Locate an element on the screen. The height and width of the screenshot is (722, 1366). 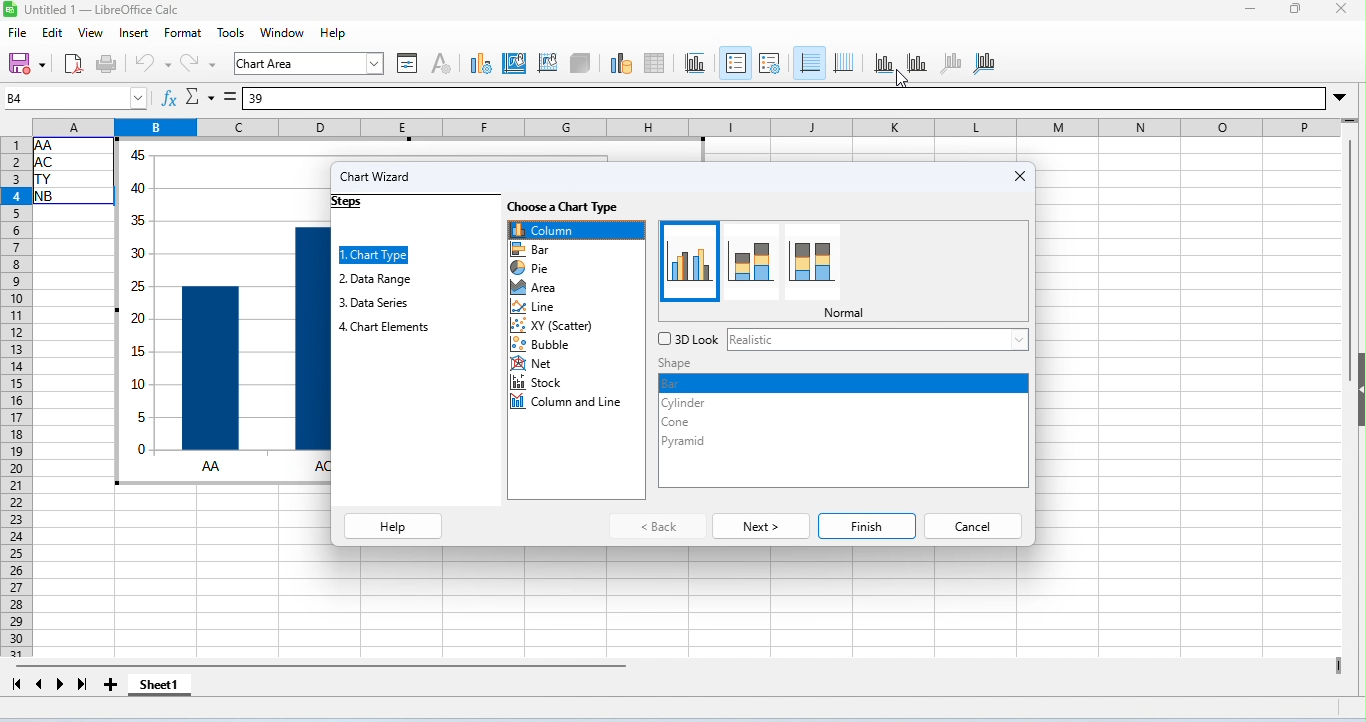
undo is located at coordinates (151, 63).